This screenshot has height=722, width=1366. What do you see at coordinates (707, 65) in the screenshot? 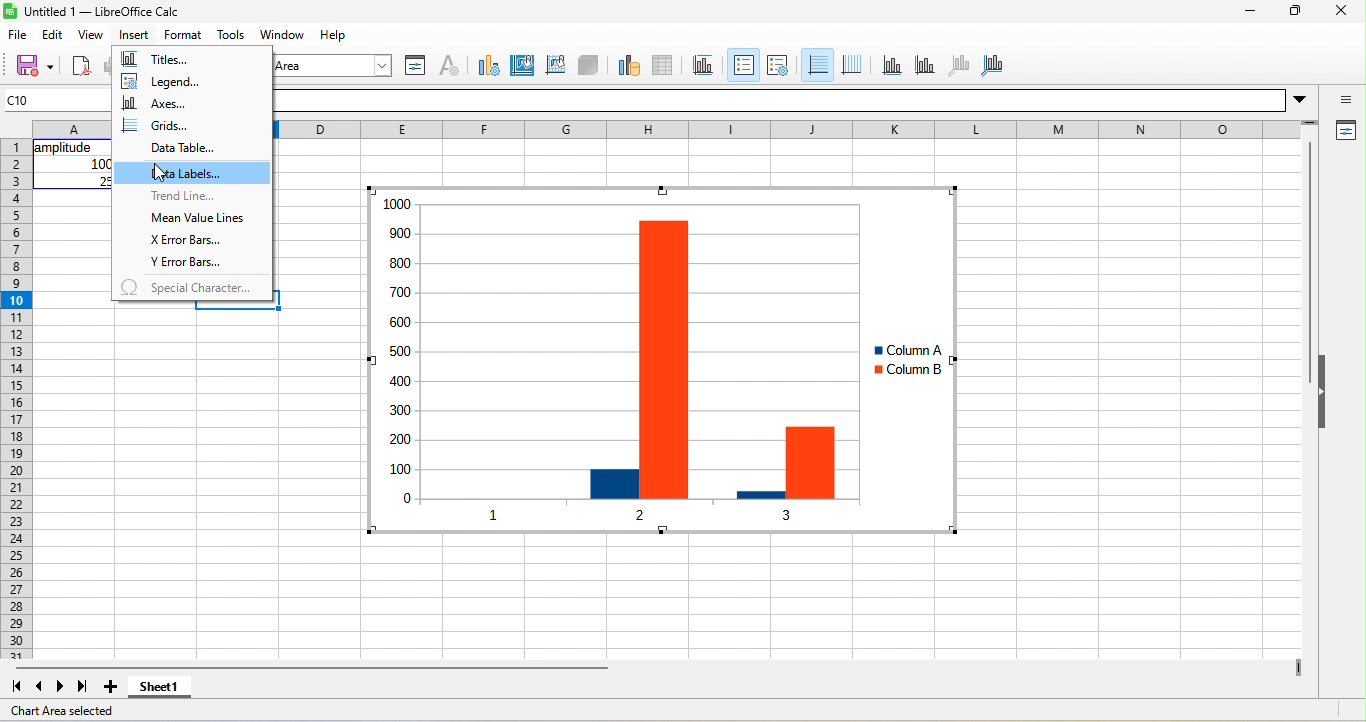
I see `title` at bounding box center [707, 65].